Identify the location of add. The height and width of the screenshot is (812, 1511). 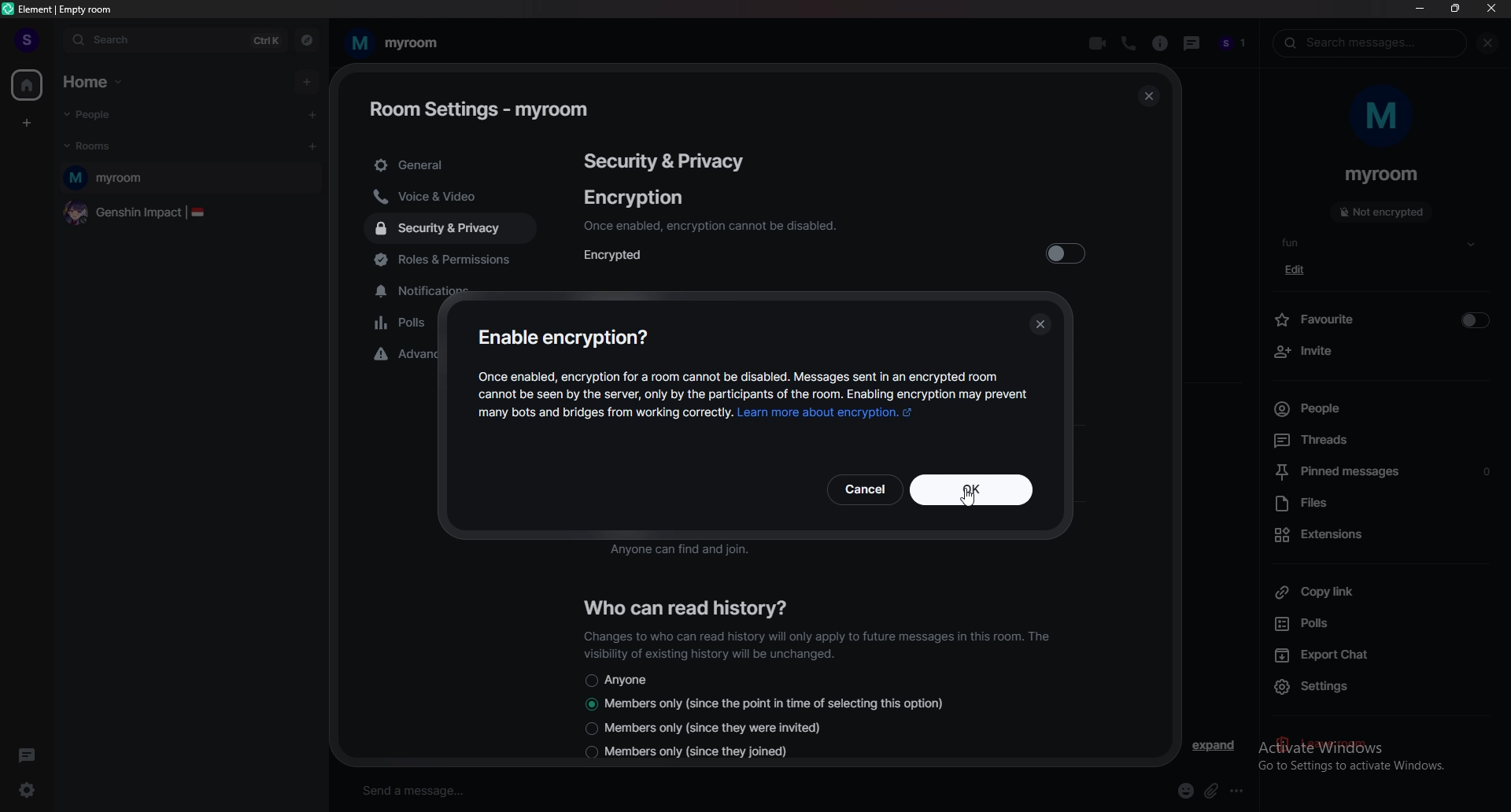
(308, 82).